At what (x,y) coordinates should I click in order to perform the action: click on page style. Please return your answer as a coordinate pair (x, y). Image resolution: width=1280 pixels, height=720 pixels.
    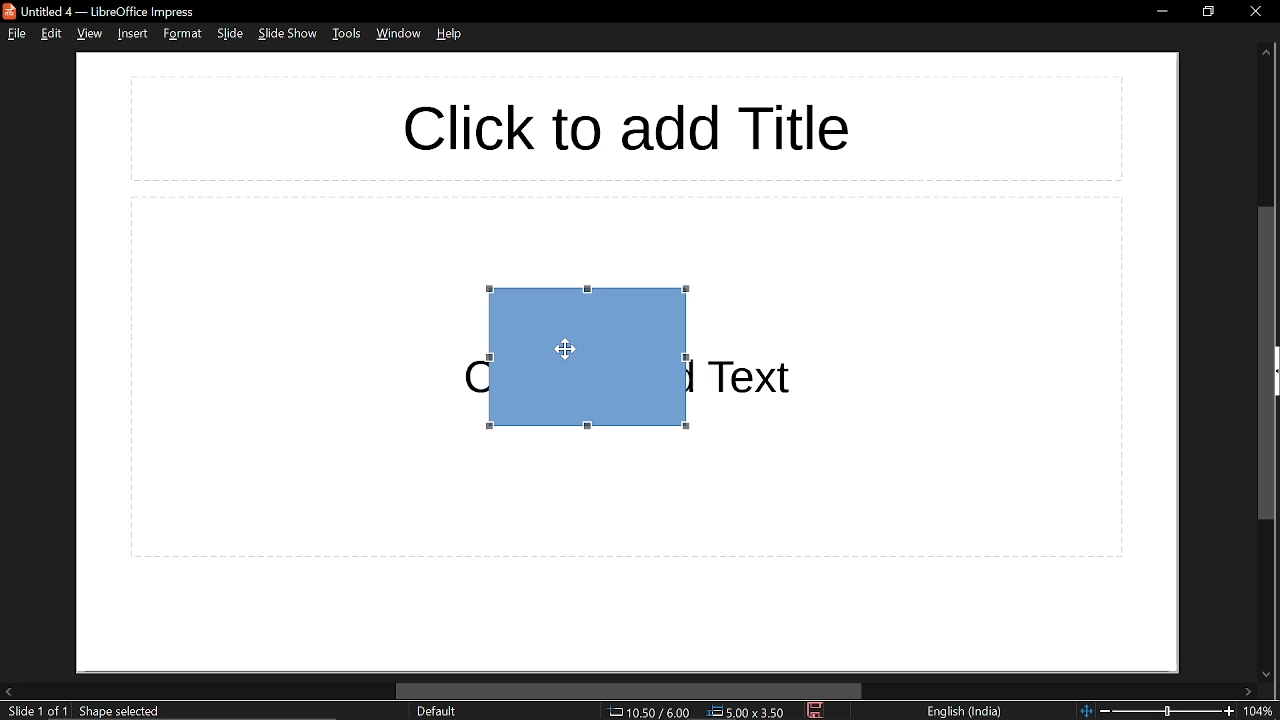
    Looking at the image, I should click on (436, 711).